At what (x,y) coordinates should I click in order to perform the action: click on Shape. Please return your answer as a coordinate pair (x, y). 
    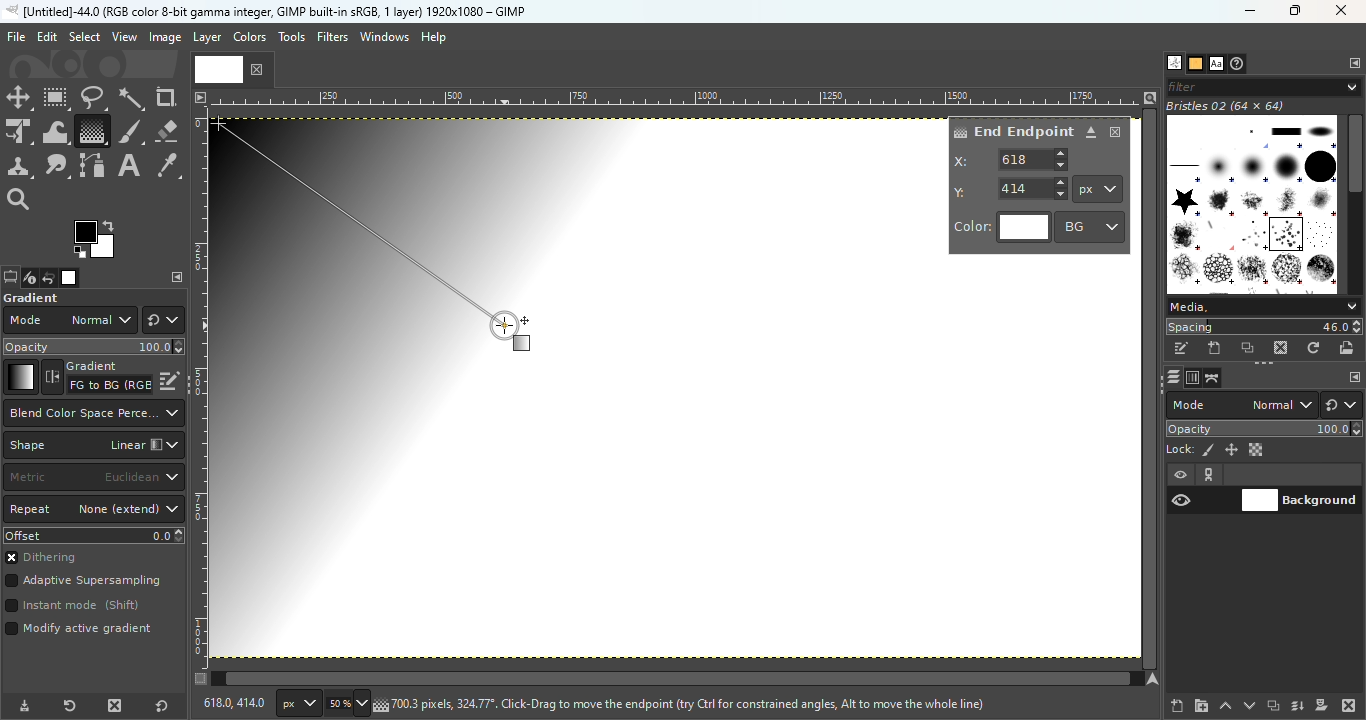
    Looking at the image, I should click on (93, 445).